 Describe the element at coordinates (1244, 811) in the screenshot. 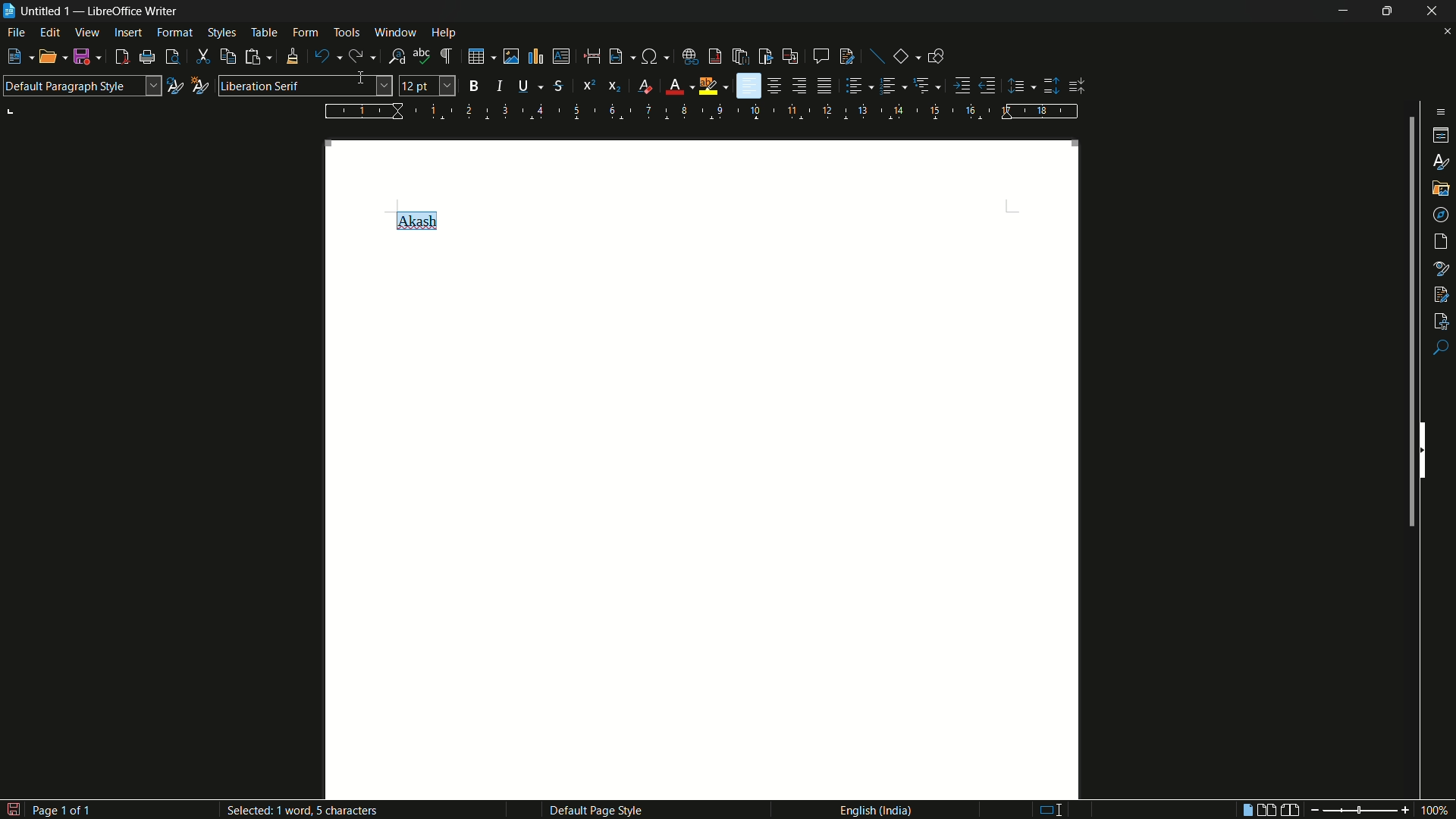

I see `single page` at that location.